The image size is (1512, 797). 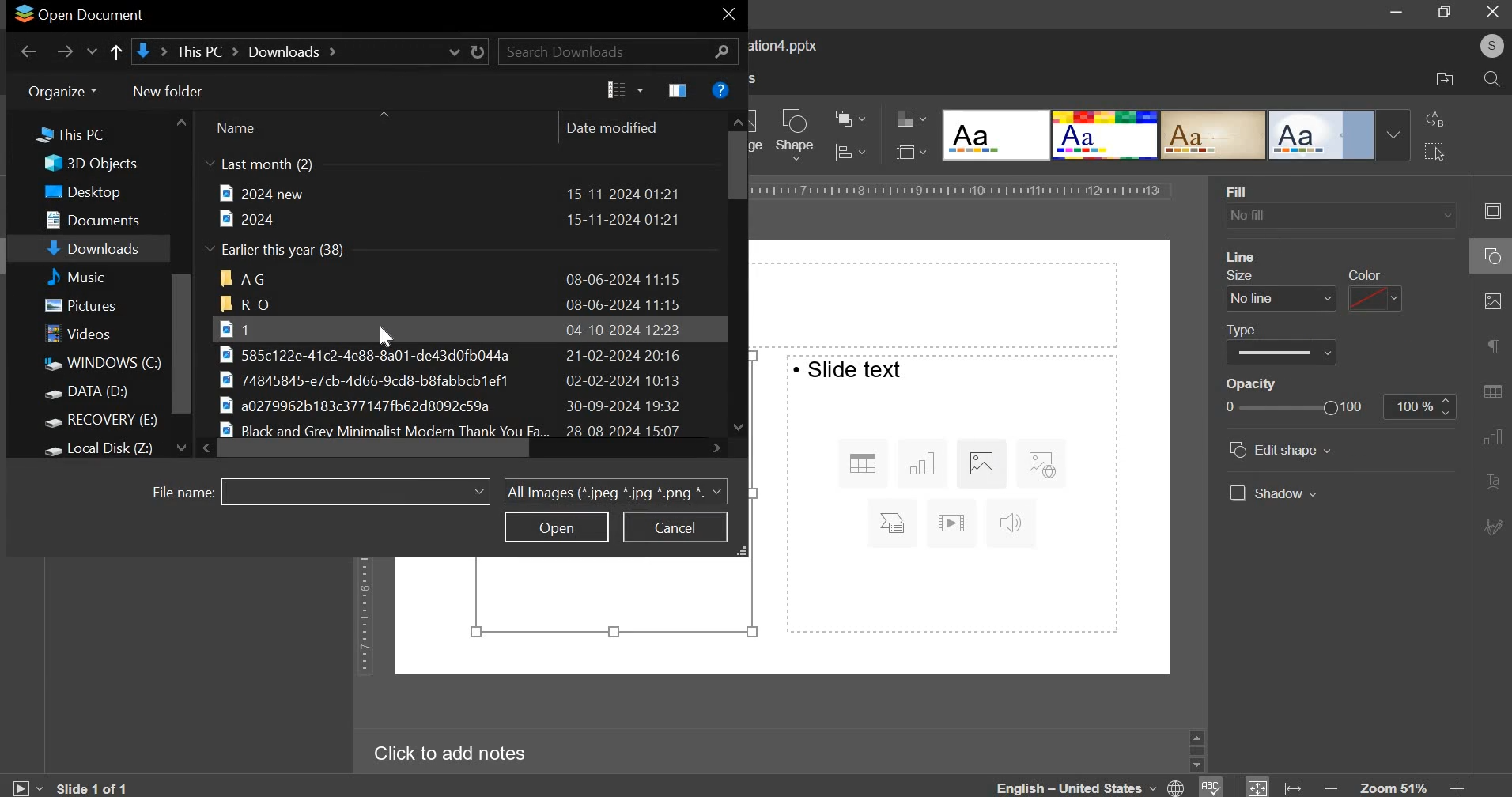 I want to click on minimize, so click(x=1397, y=13).